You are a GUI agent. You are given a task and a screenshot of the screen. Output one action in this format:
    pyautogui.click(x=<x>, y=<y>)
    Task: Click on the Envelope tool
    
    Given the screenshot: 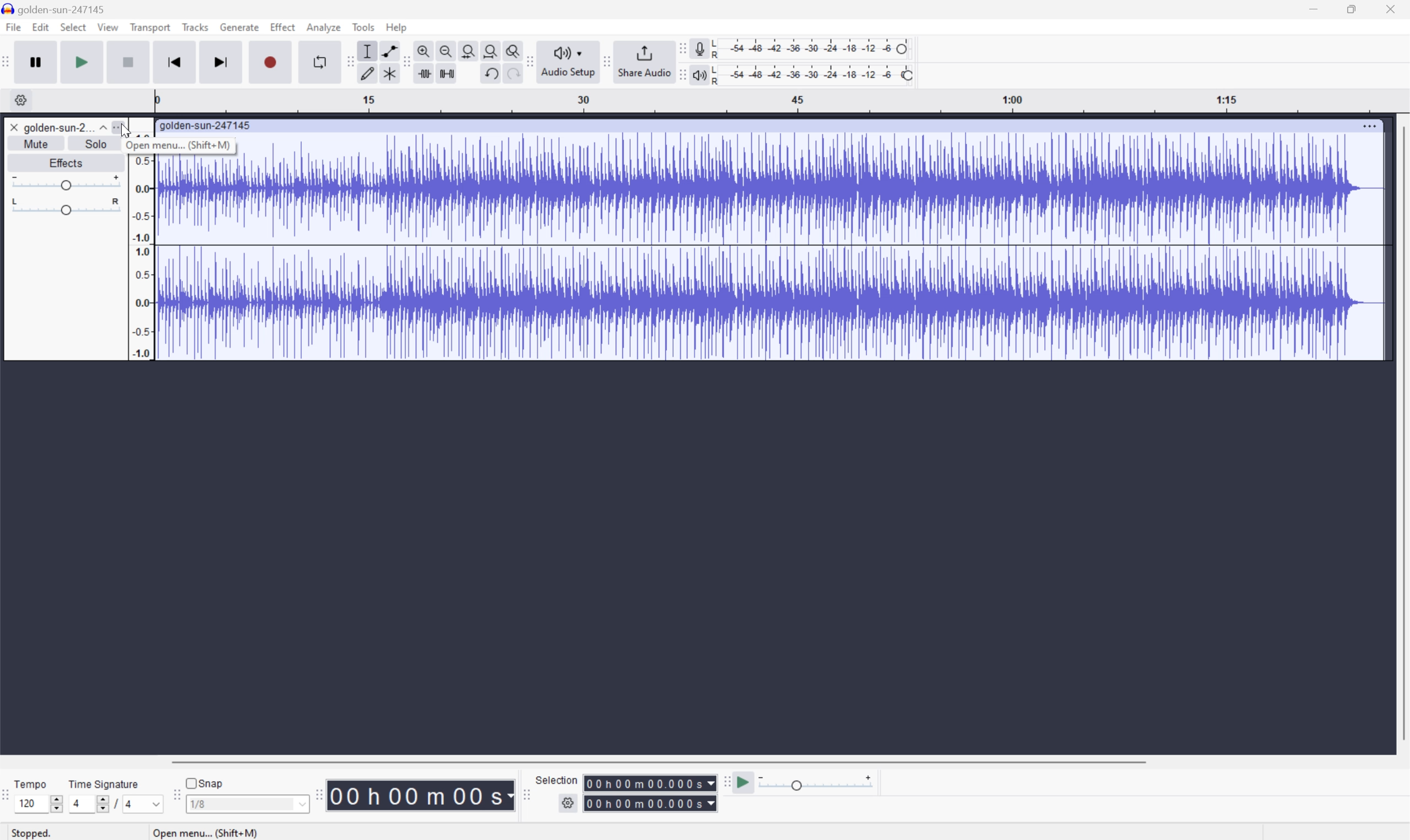 What is the action you would take?
    pyautogui.click(x=389, y=50)
    